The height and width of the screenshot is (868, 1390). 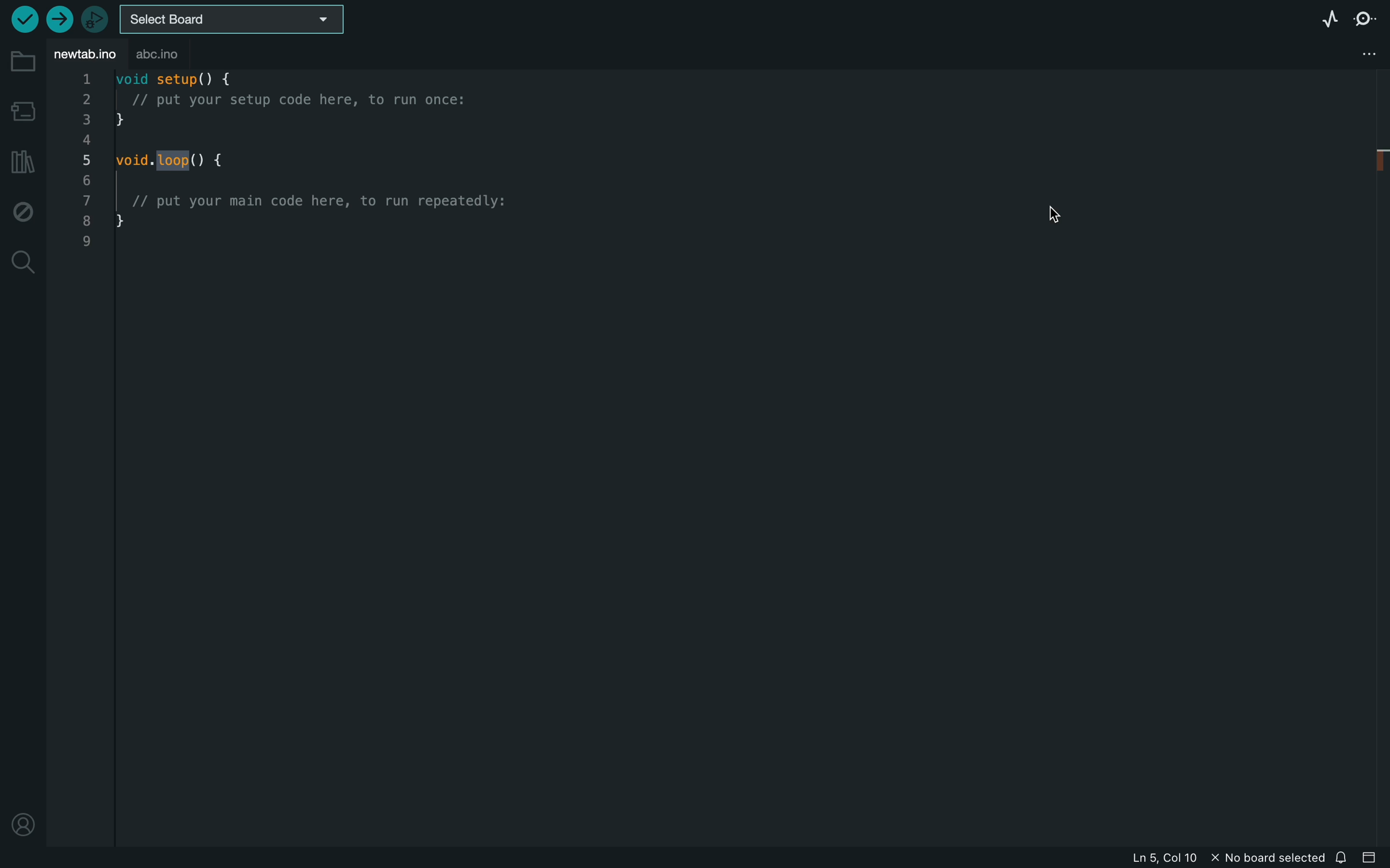 I want to click on abc, so click(x=184, y=55).